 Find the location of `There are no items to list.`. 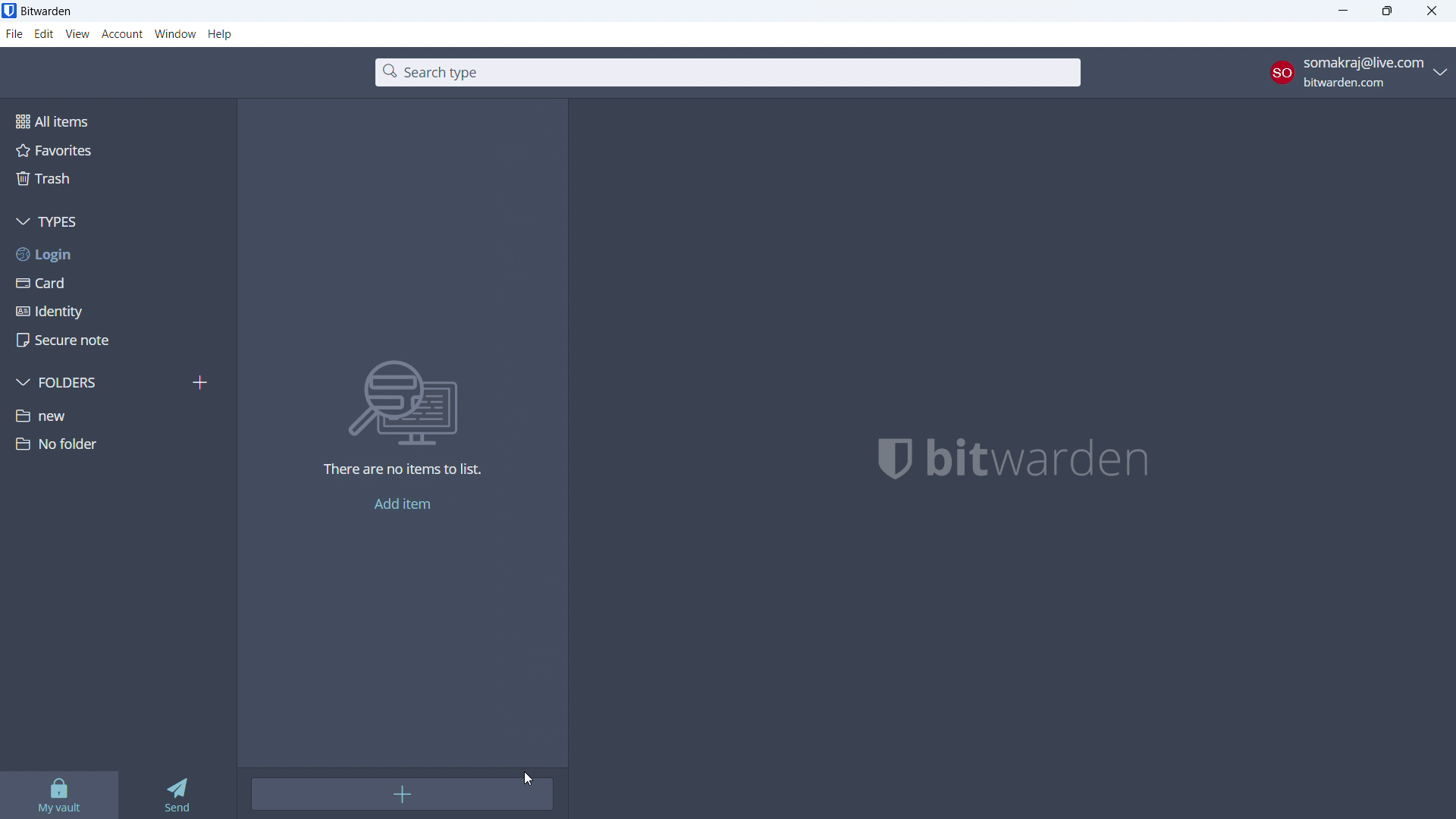

There are no items to list. is located at coordinates (403, 472).